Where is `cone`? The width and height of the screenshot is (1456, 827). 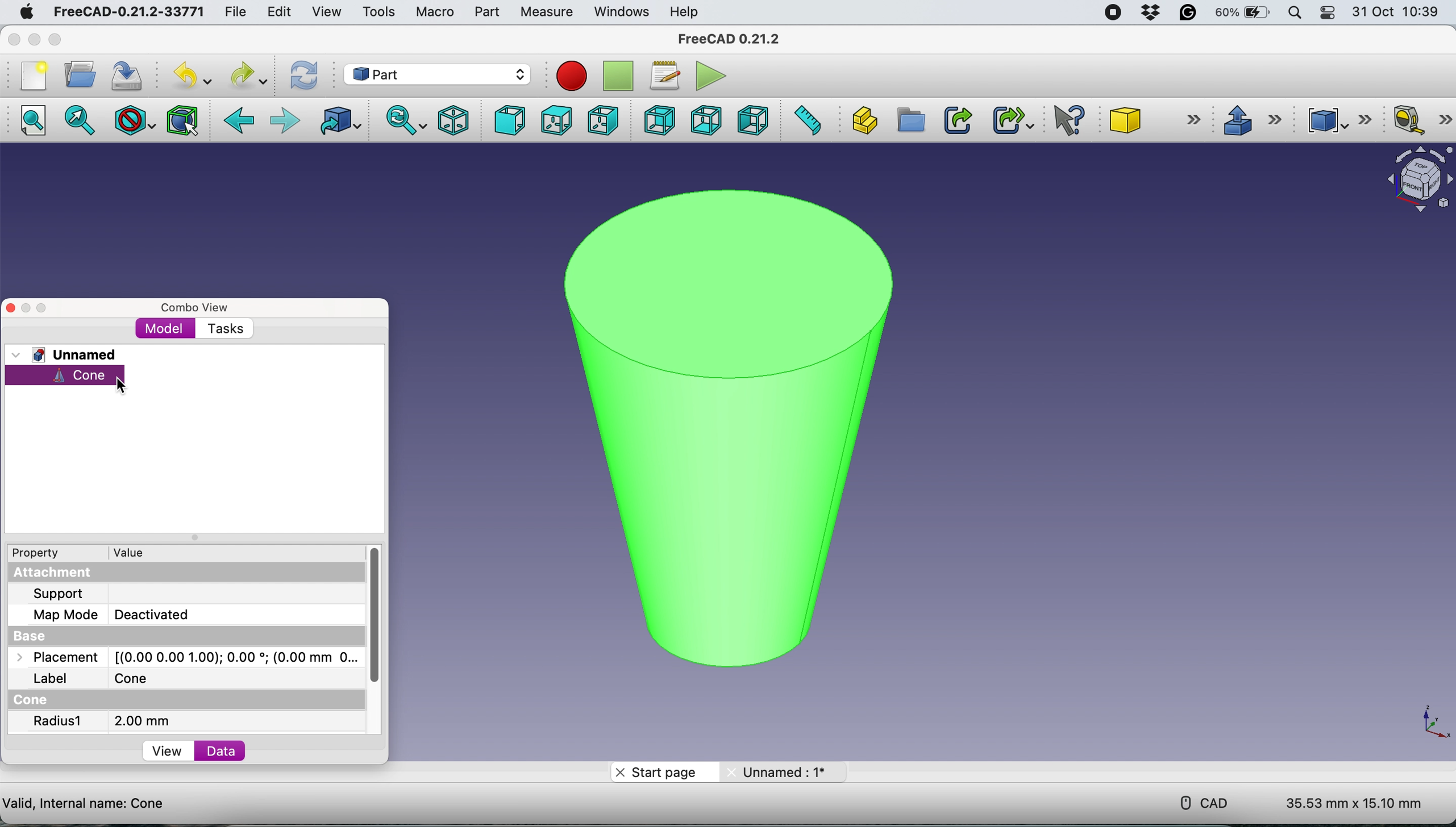 cone is located at coordinates (35, 700).